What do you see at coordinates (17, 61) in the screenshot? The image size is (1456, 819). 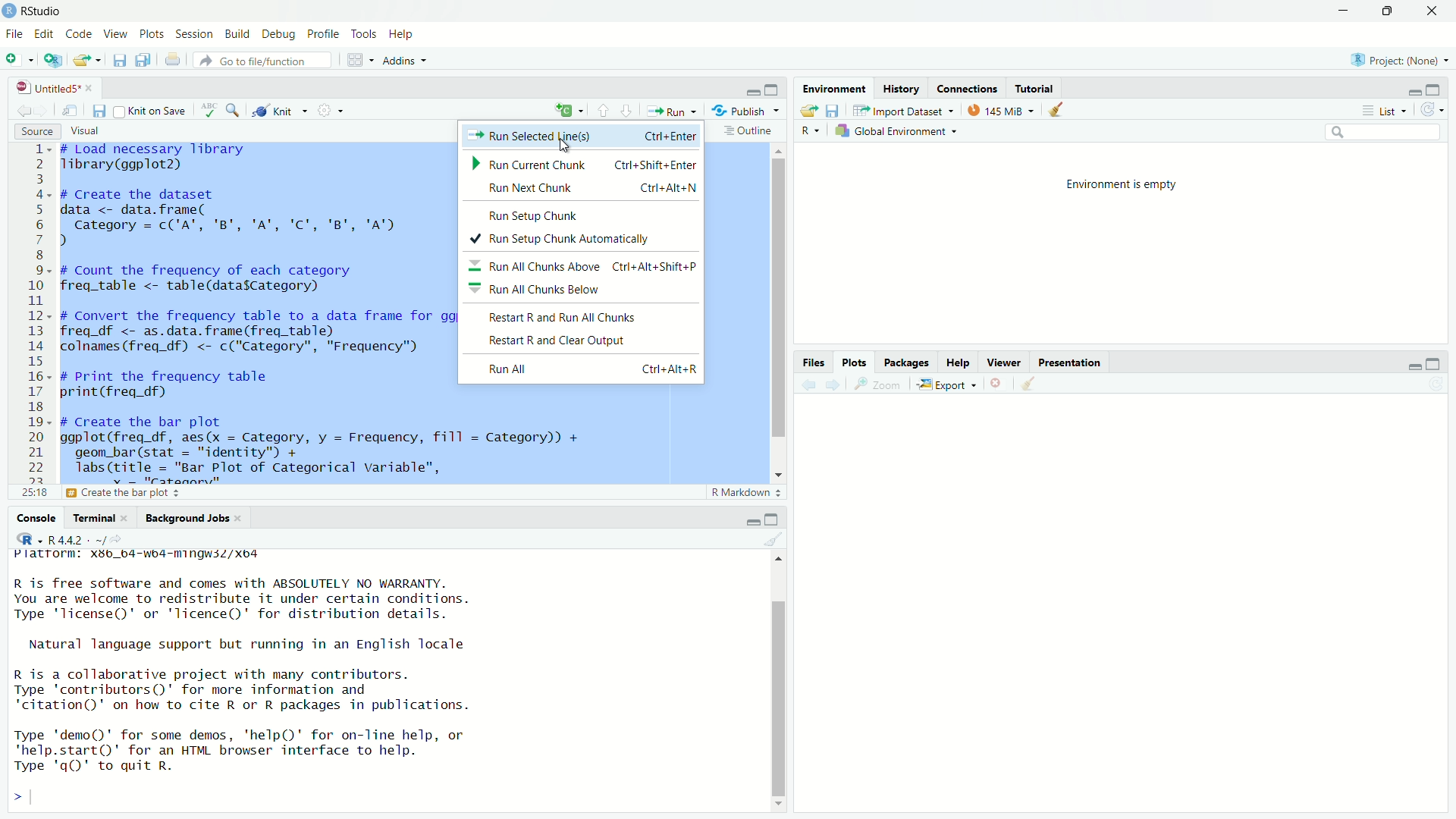 I see `new file` at bounding box center [17, 61].